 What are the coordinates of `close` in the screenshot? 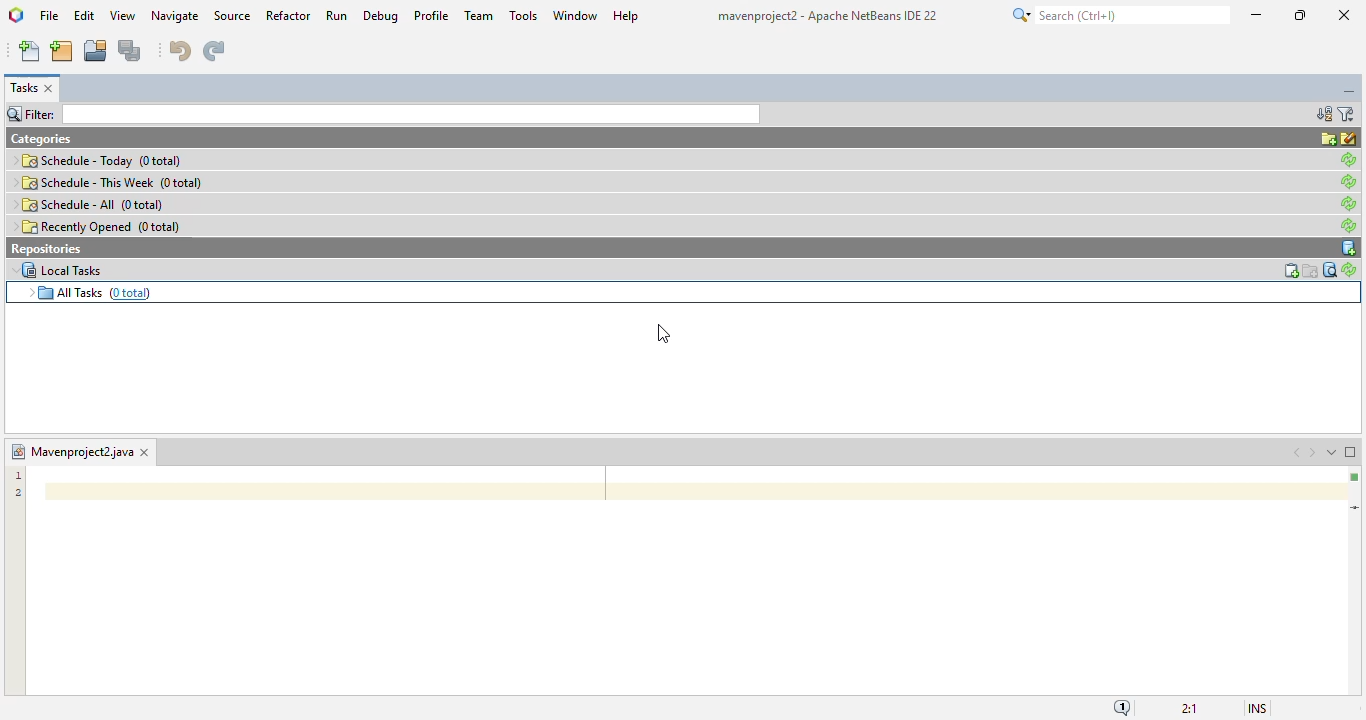 It's located at (1346, 15).